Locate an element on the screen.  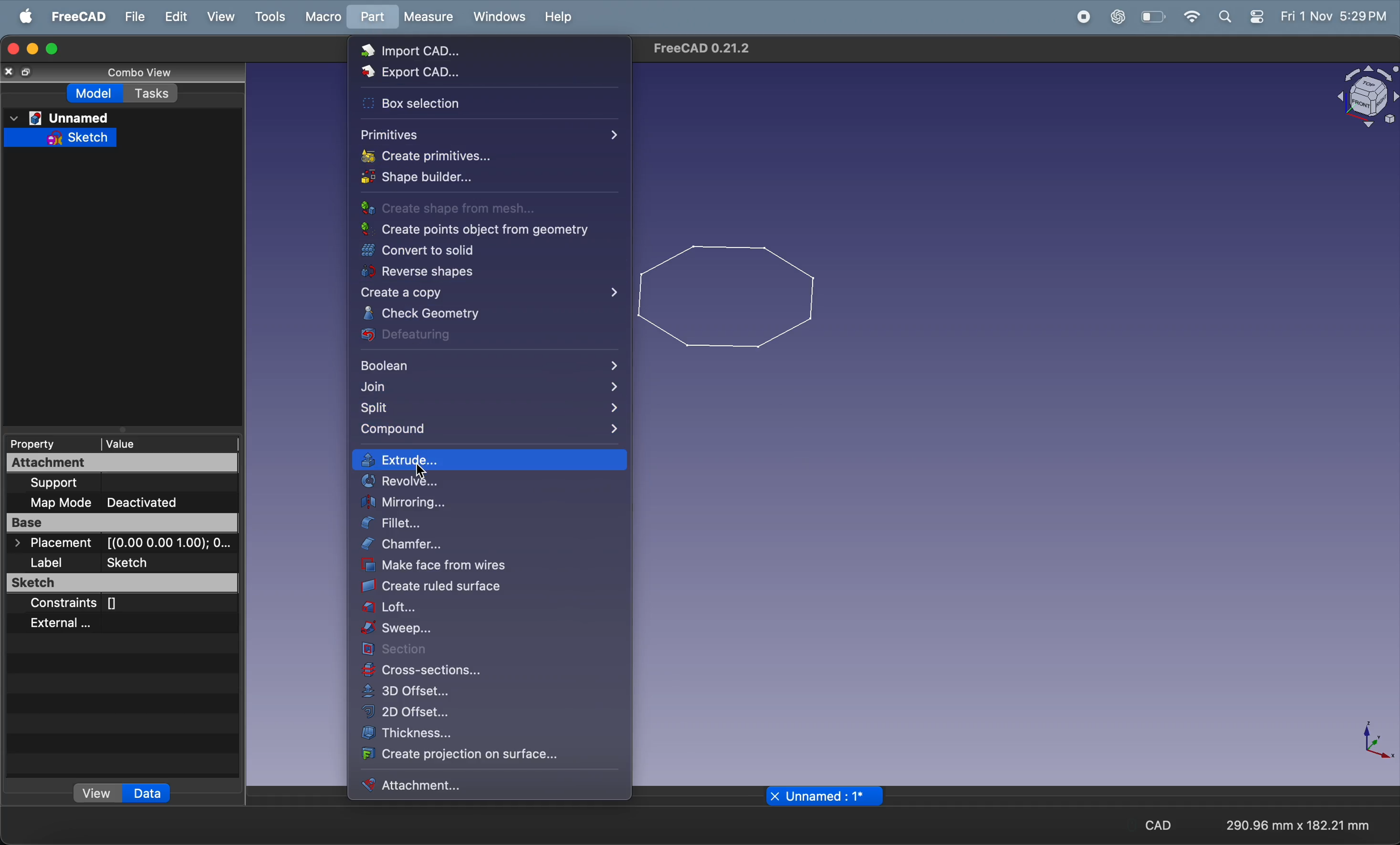
axis is located at coordinates (1370, 746).